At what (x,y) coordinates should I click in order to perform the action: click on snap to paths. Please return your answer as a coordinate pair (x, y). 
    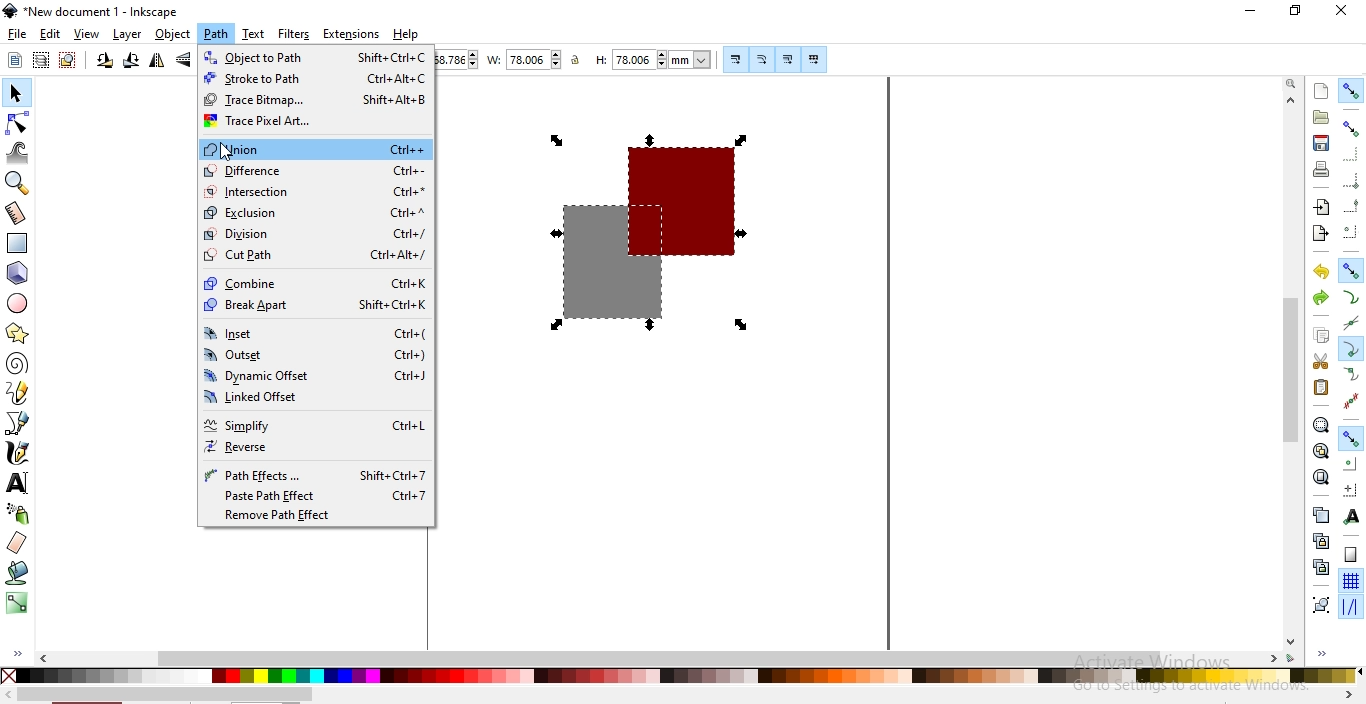
    Looking at the image, I should click on (1351, 298).